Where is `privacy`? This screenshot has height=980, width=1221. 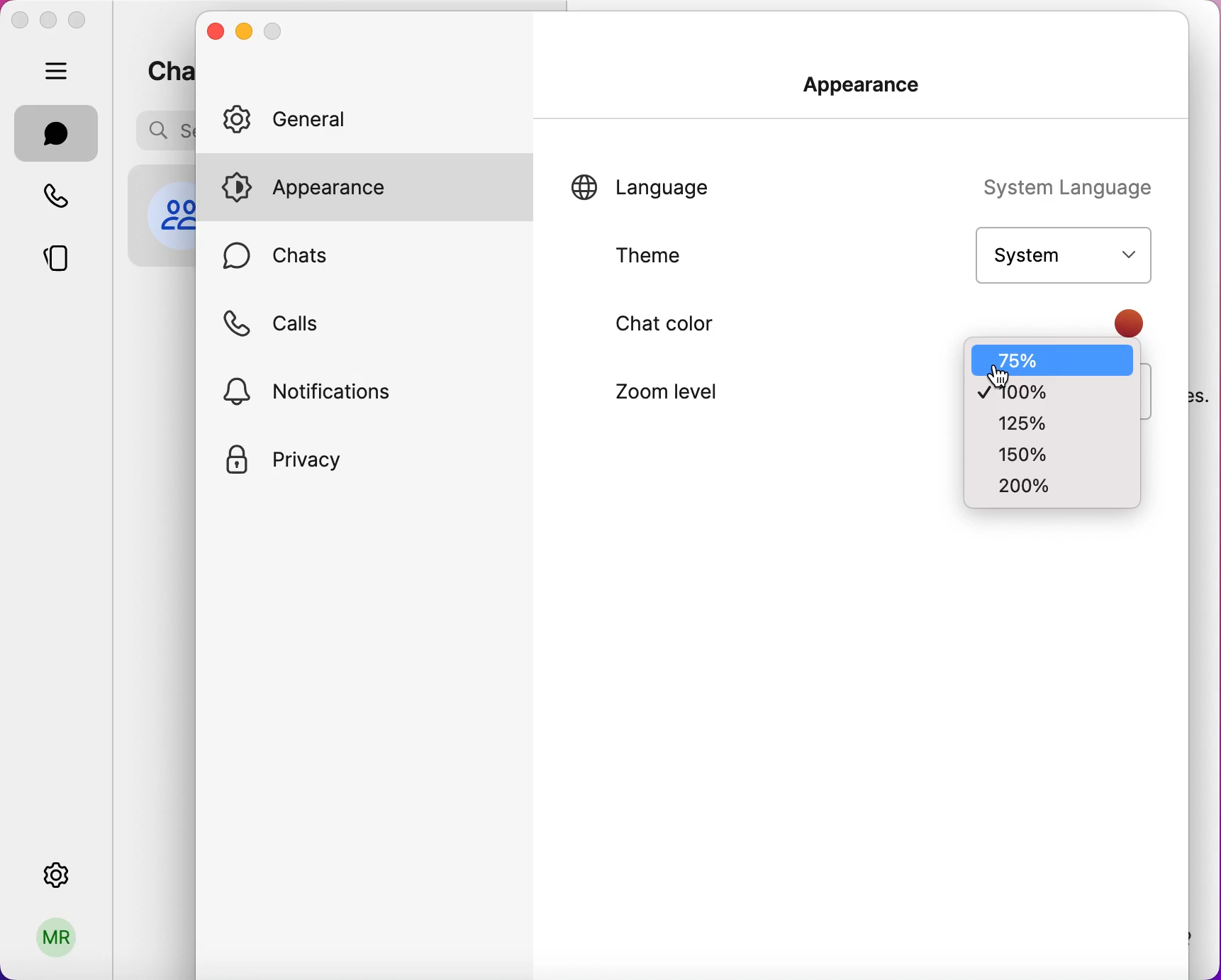
privacy is located at coordinates (301, 465).